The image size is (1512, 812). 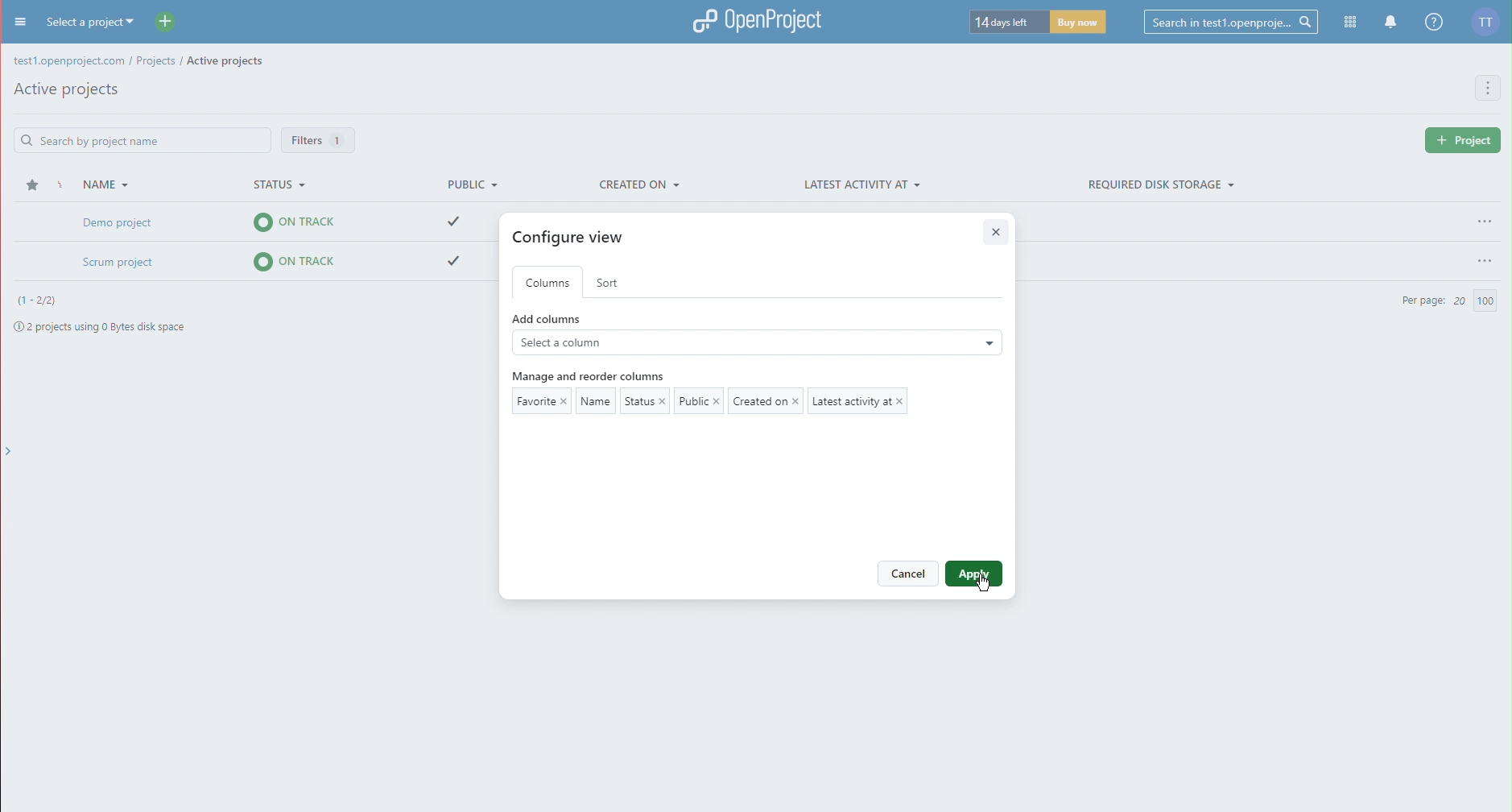 What do you see at coordinates (610, 281) in the screenshot?
I see `Sort` at bounding box center [610, 281].